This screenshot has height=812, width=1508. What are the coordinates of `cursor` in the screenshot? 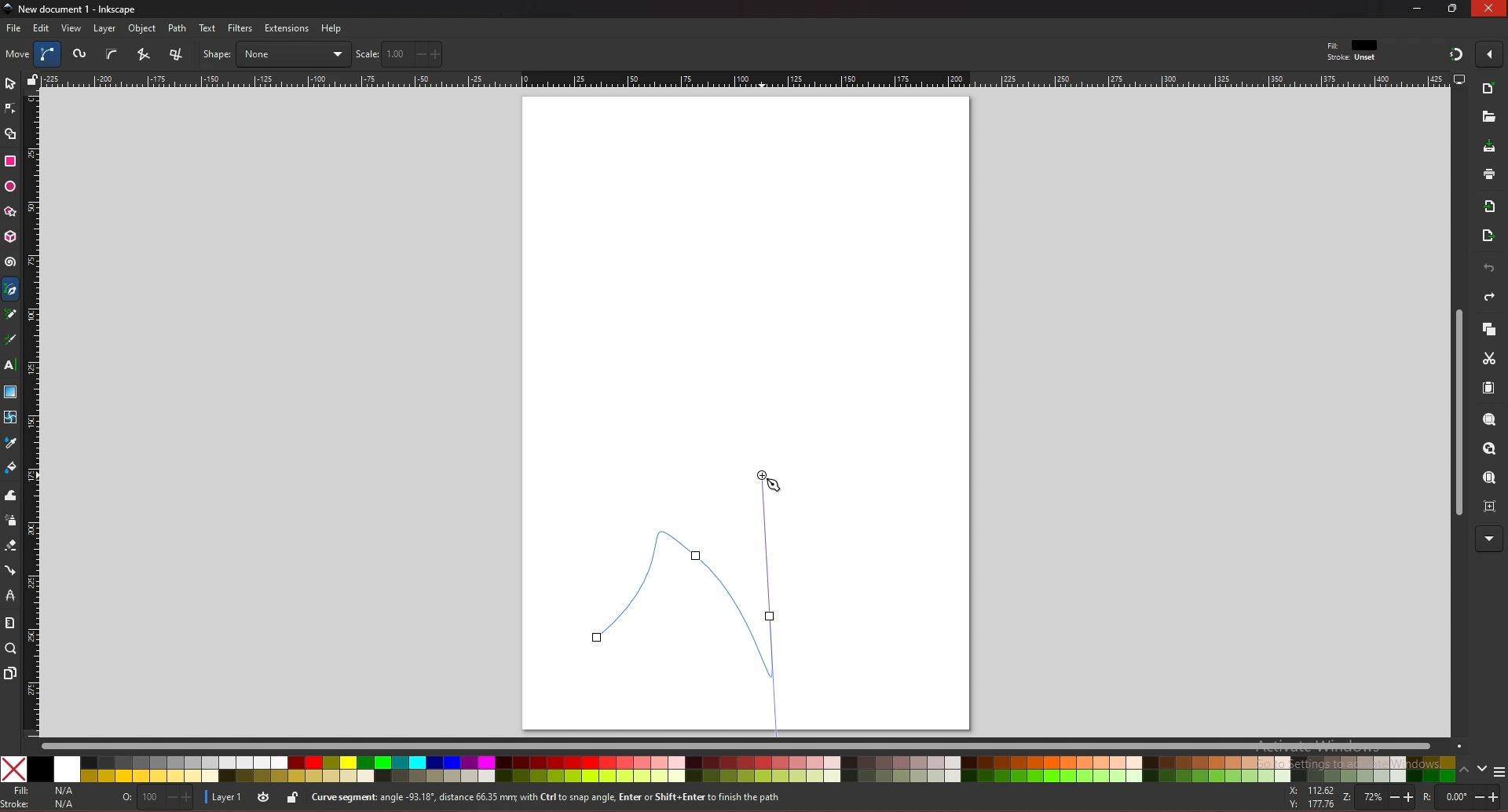 It's located at (775, 483).